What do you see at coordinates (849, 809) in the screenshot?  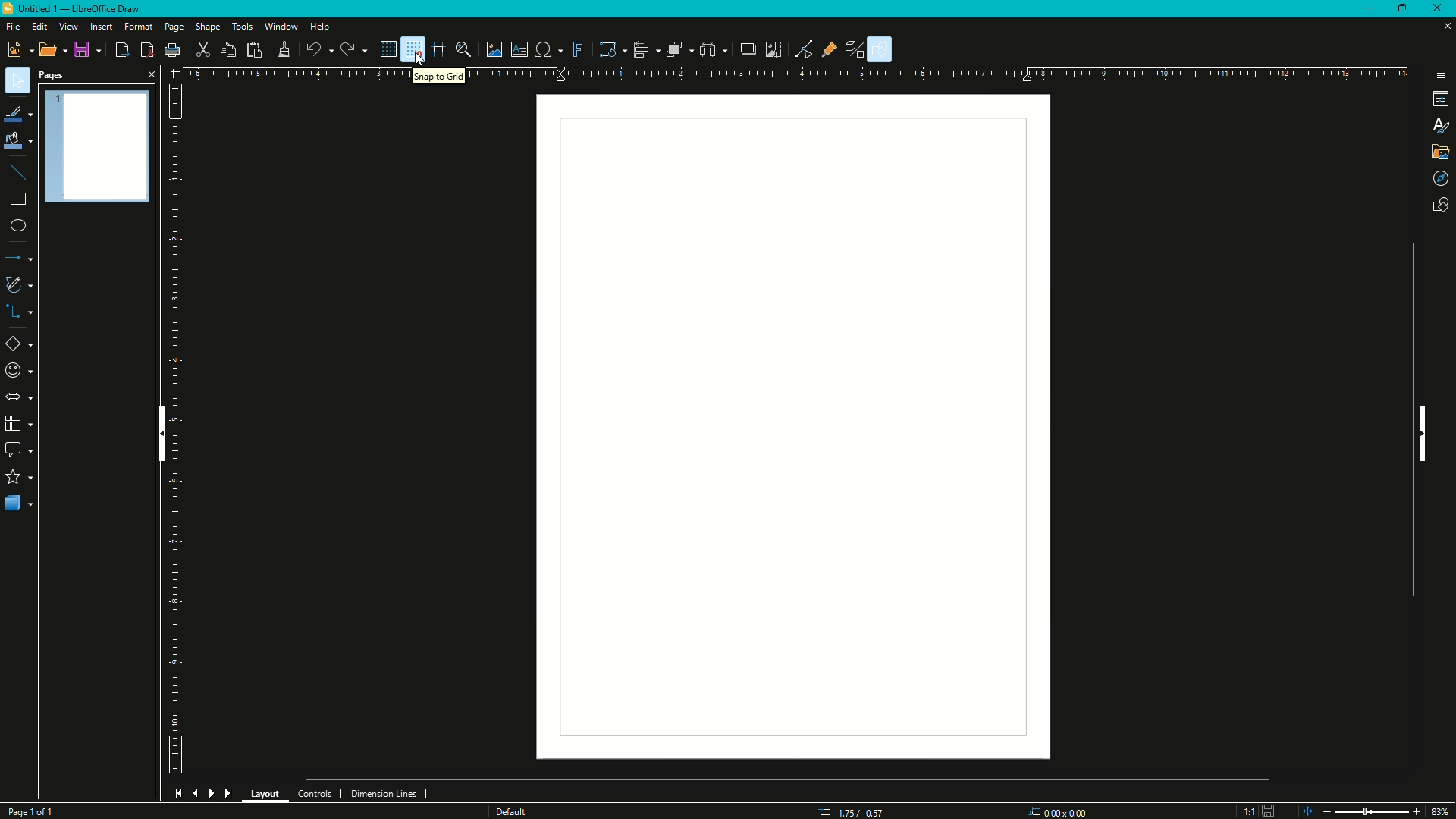 I see `Coordinates` at bounding box center [849, 809].